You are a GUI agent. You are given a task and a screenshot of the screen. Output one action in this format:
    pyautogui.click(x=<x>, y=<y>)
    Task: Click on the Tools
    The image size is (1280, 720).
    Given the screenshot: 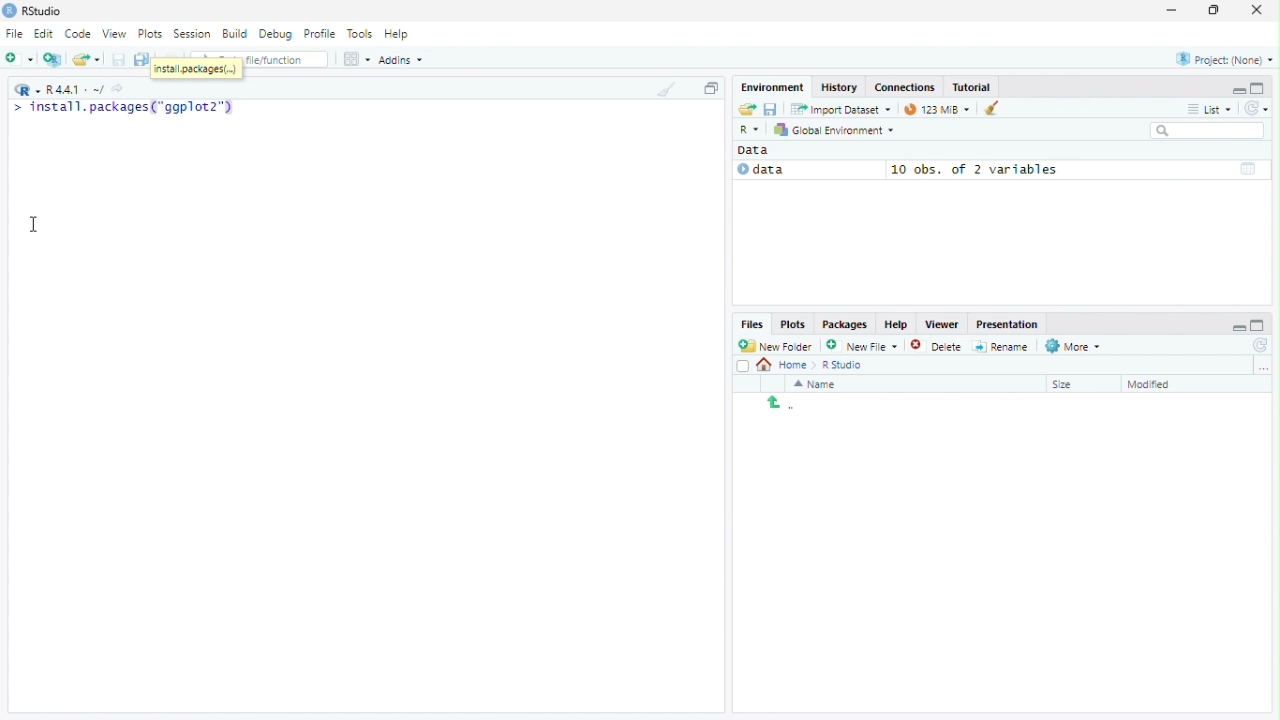 What is the action you would take?
    pyautogui.click(x=361, y=34)
    